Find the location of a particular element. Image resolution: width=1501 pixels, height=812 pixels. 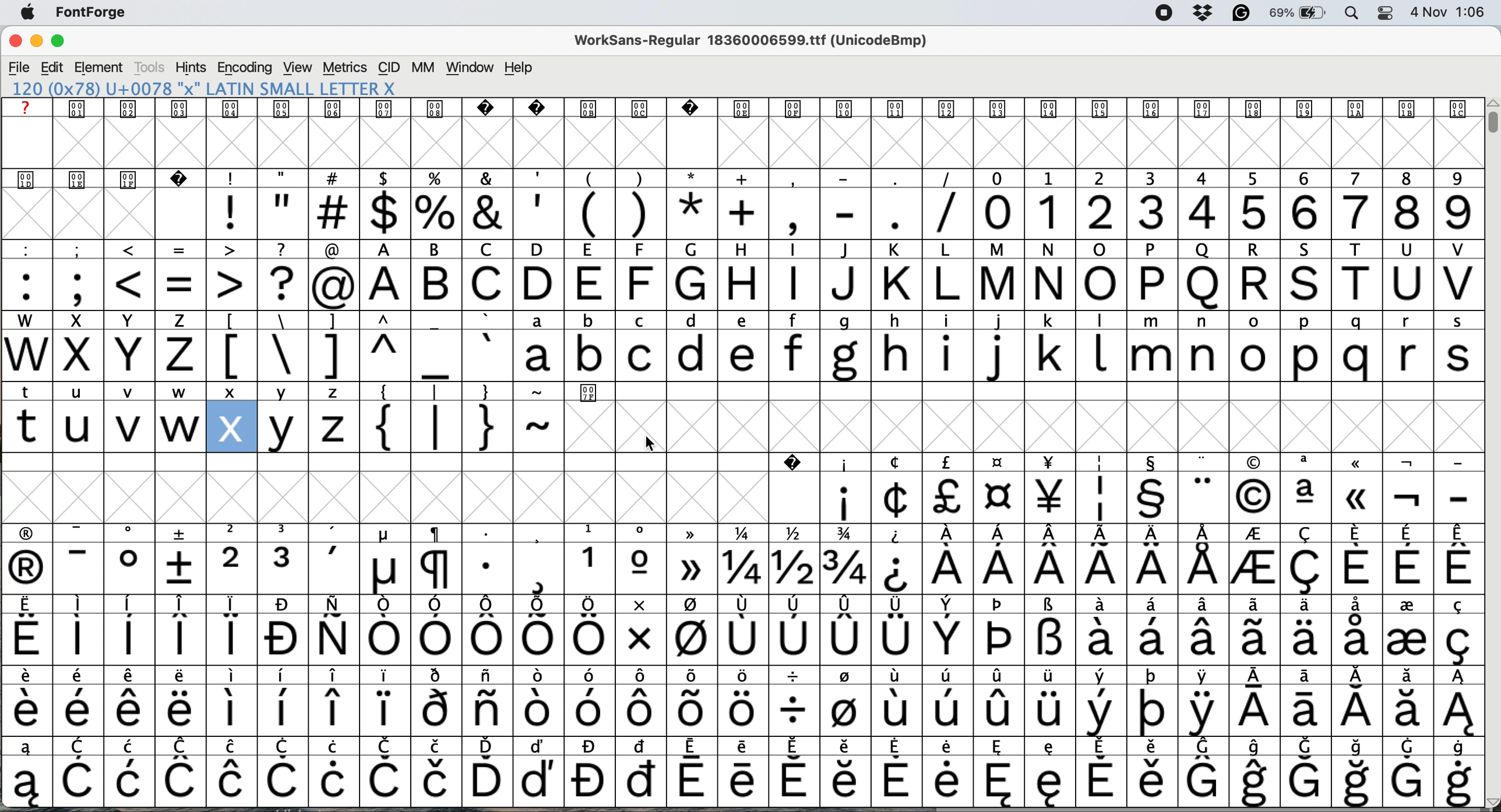

lower case x chosen is located at coordinates (231, 426).